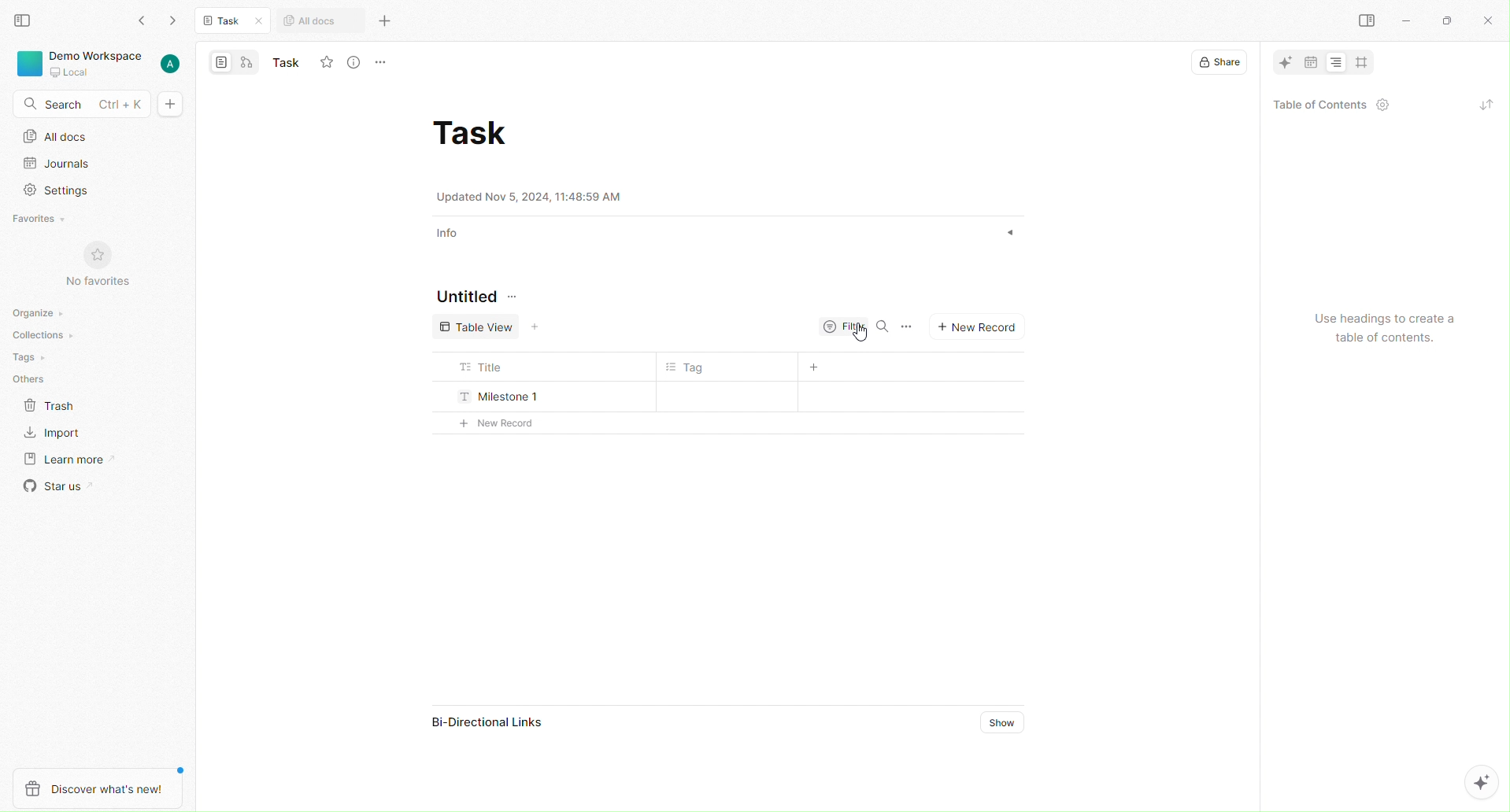 The height and width of the screenshot is (812, 1510). Describe the element at coordinates (1370, 21) in the screenshot. I see `Right pane` at that location.